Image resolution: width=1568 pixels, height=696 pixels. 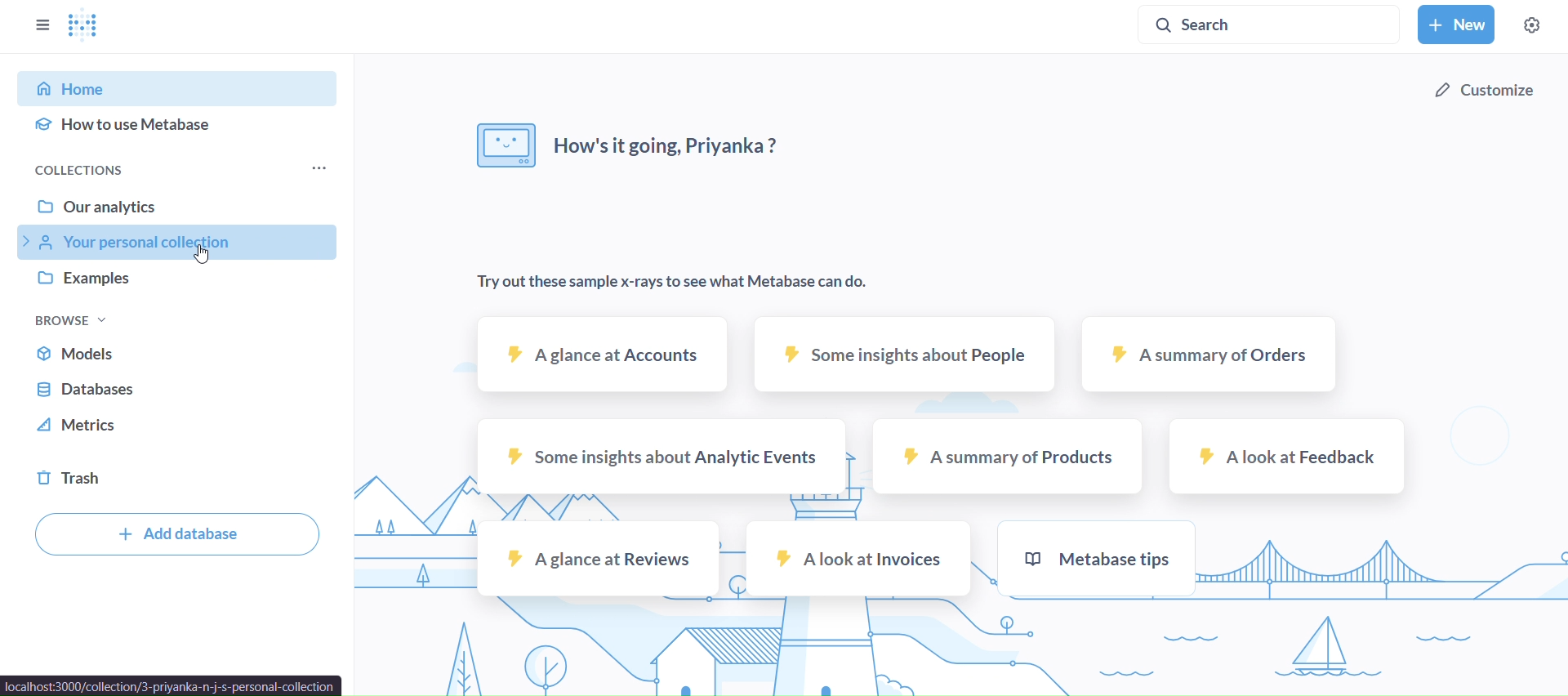 What do you see at coordinates (182, 84) in the screenshot?
I see `home` at bounding box center [182, 84].